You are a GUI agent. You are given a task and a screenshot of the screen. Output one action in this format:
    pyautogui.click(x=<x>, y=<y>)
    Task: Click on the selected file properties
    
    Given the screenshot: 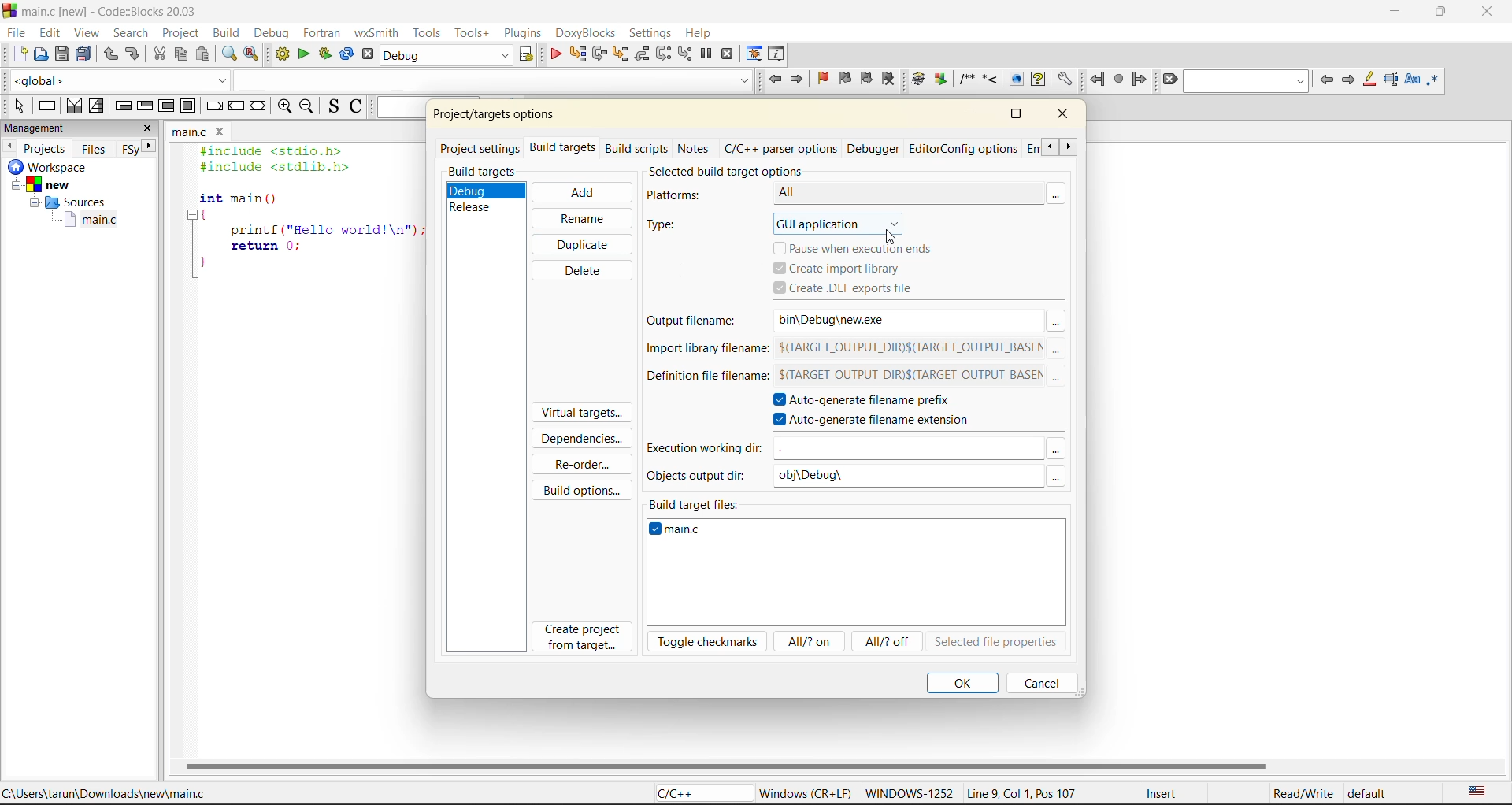 What is the action you would take?
    pyautogui.click(x=995, y=643)
    